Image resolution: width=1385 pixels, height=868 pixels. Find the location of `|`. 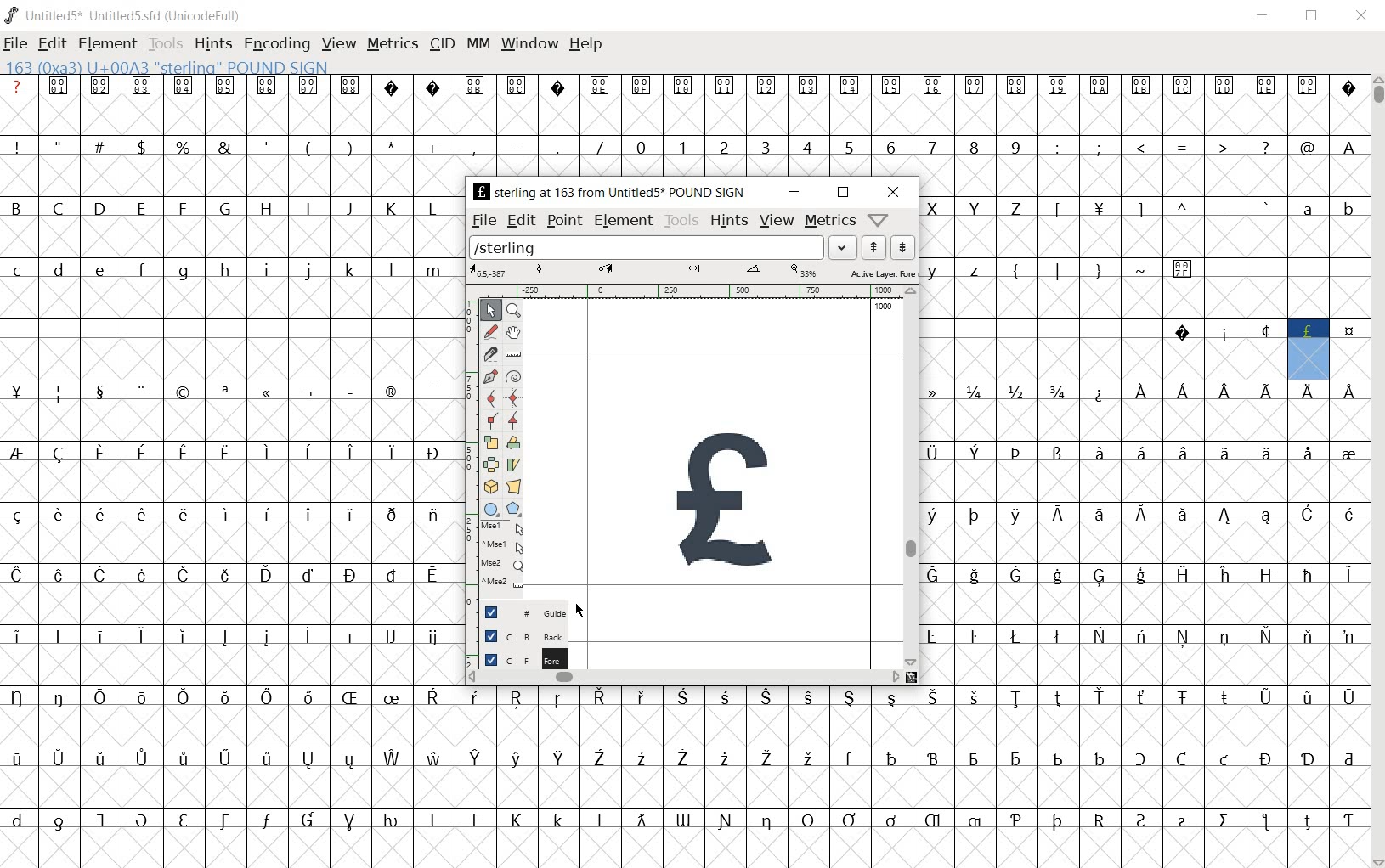

| is located at coordinates (1054, 269).